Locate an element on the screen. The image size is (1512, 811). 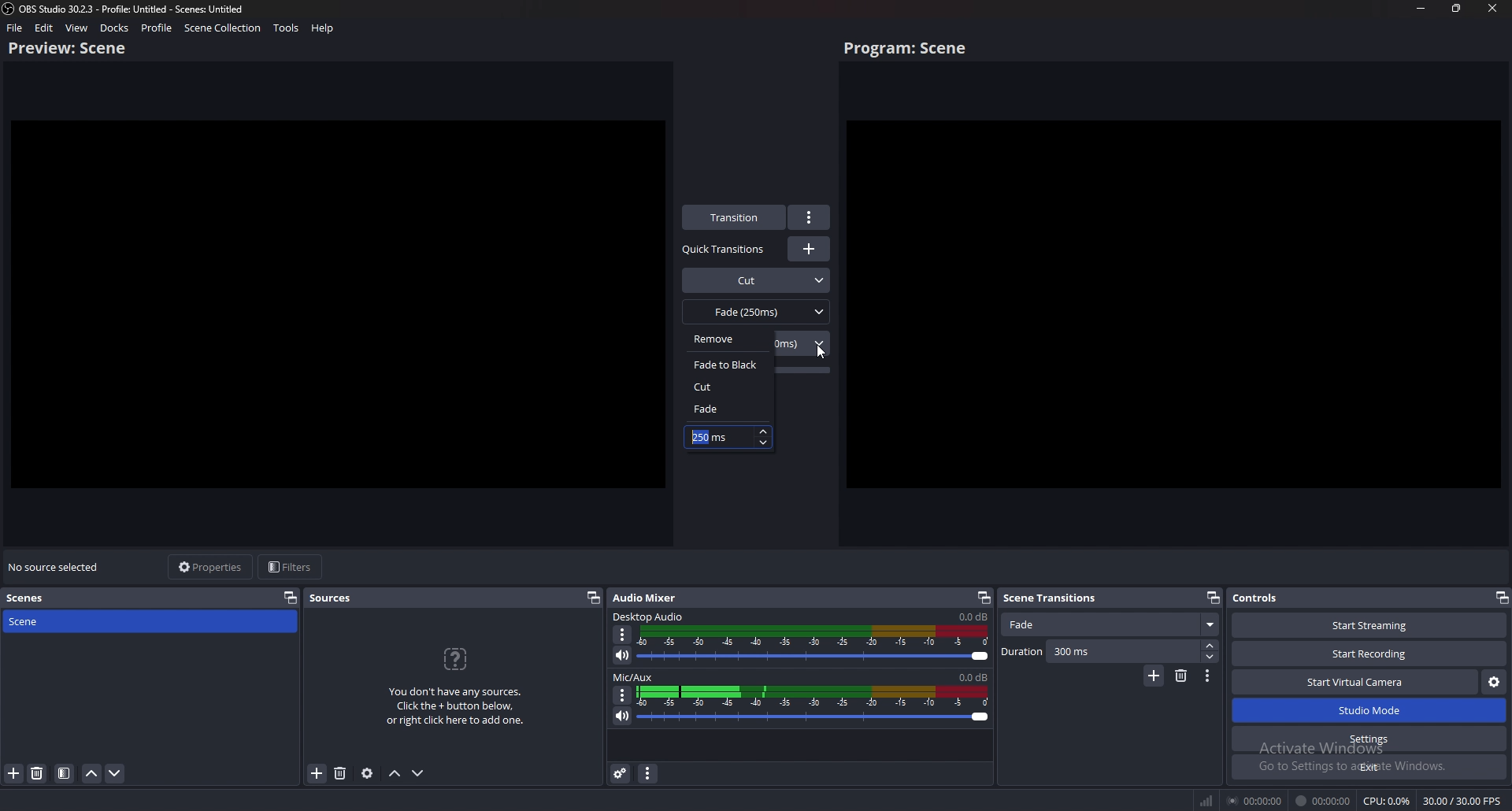
pop out is located at coordinates (593, 598).